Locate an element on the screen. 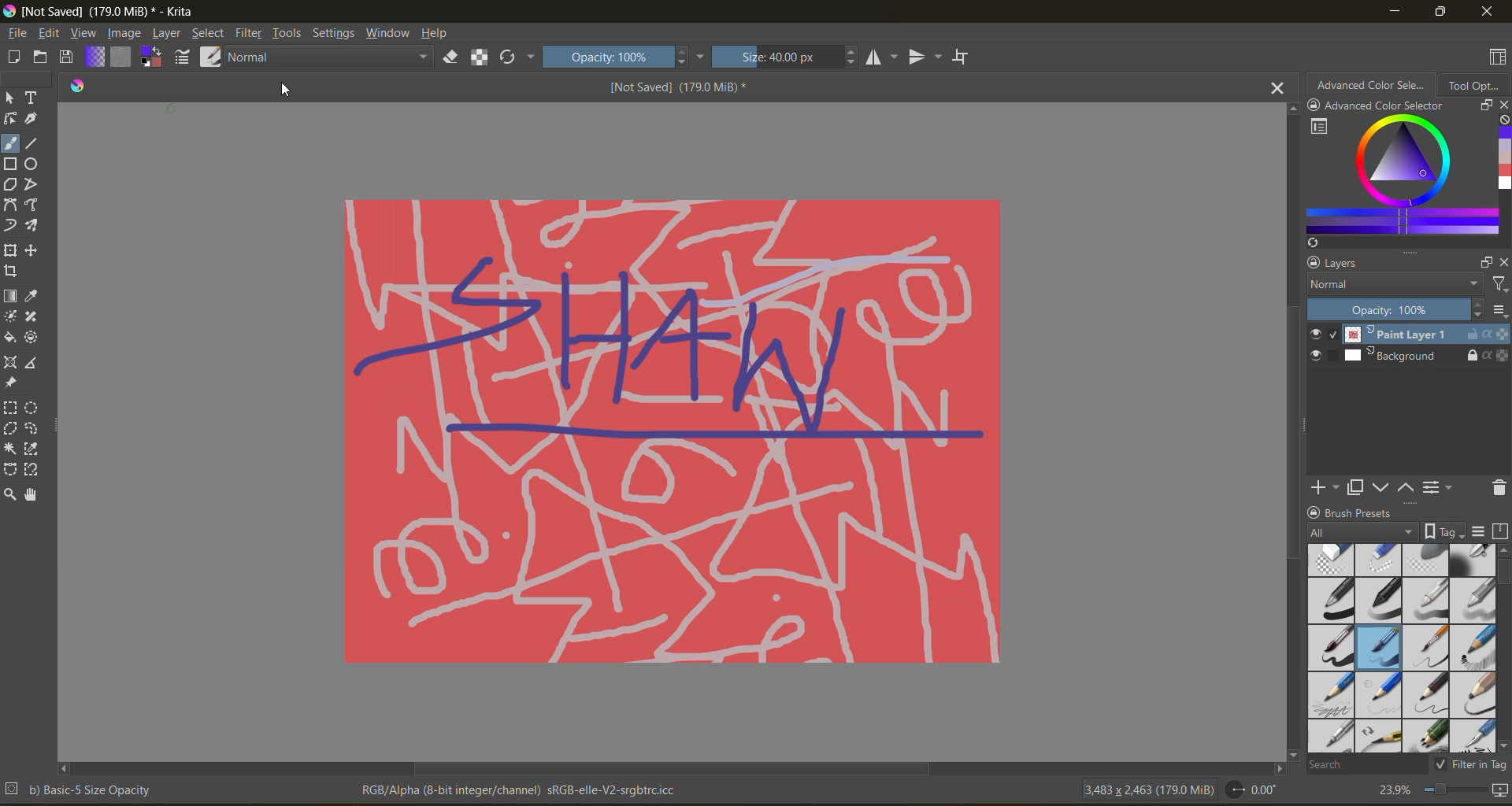 This screenshot has width=1512, height=806. Normal is located at coordinates (332, 57).